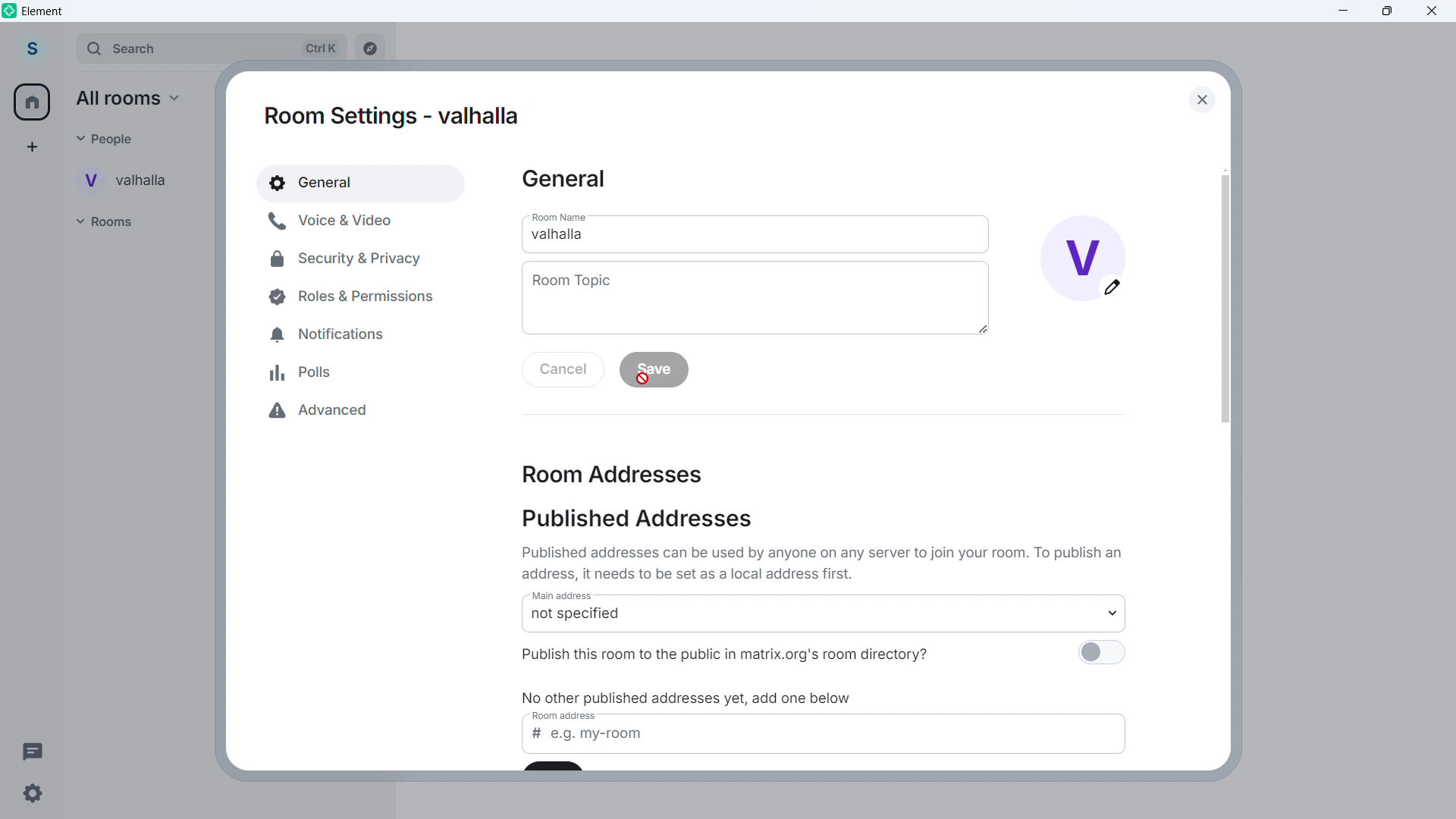  I want to click on room settings, so click(344, 118).